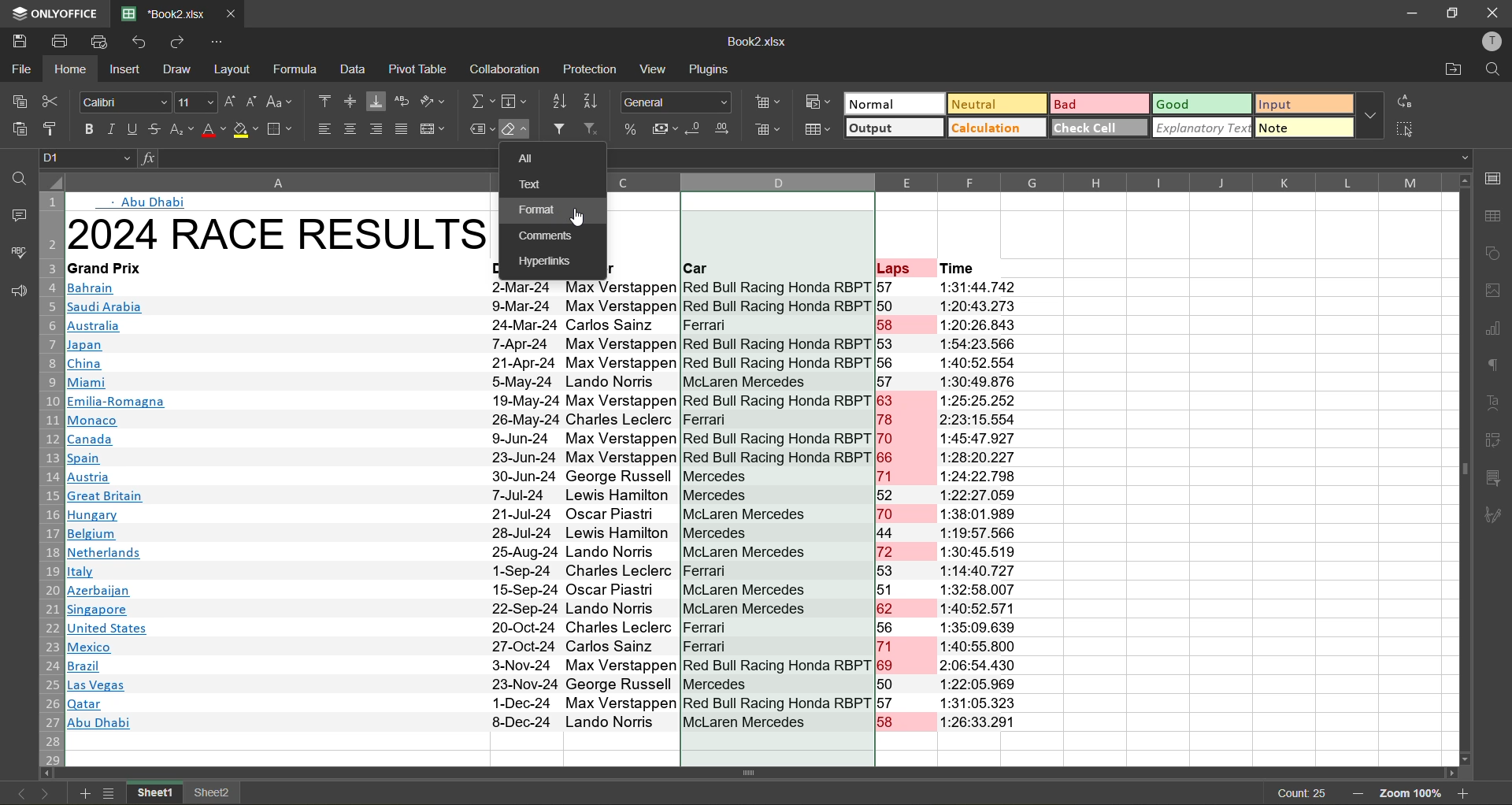  What do you see at coordinates (53, 126) in the screenshot?
I see `copy style` at bounding box center [53, 126].